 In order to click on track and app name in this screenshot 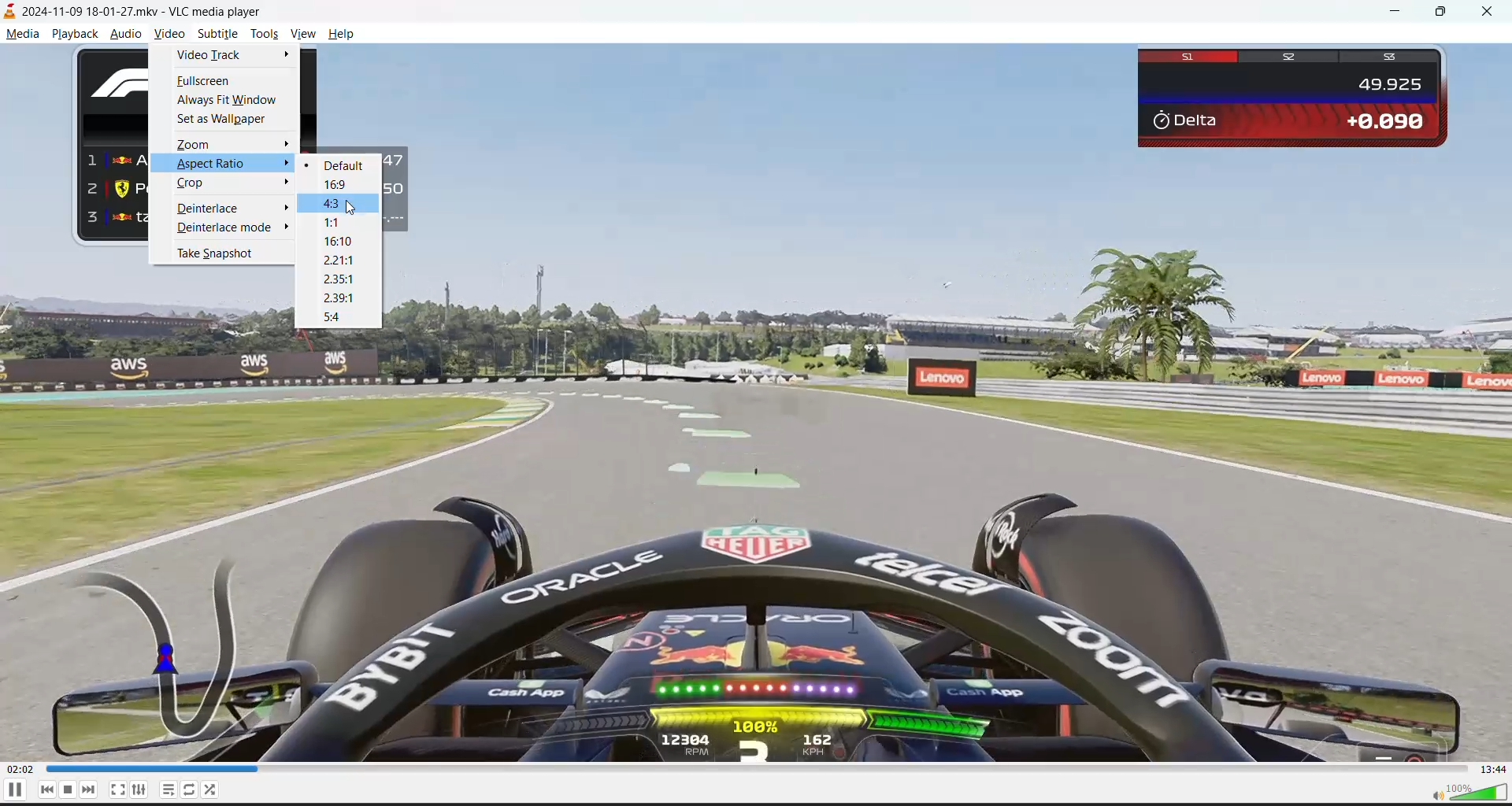, I will do `click(139, 12)`.